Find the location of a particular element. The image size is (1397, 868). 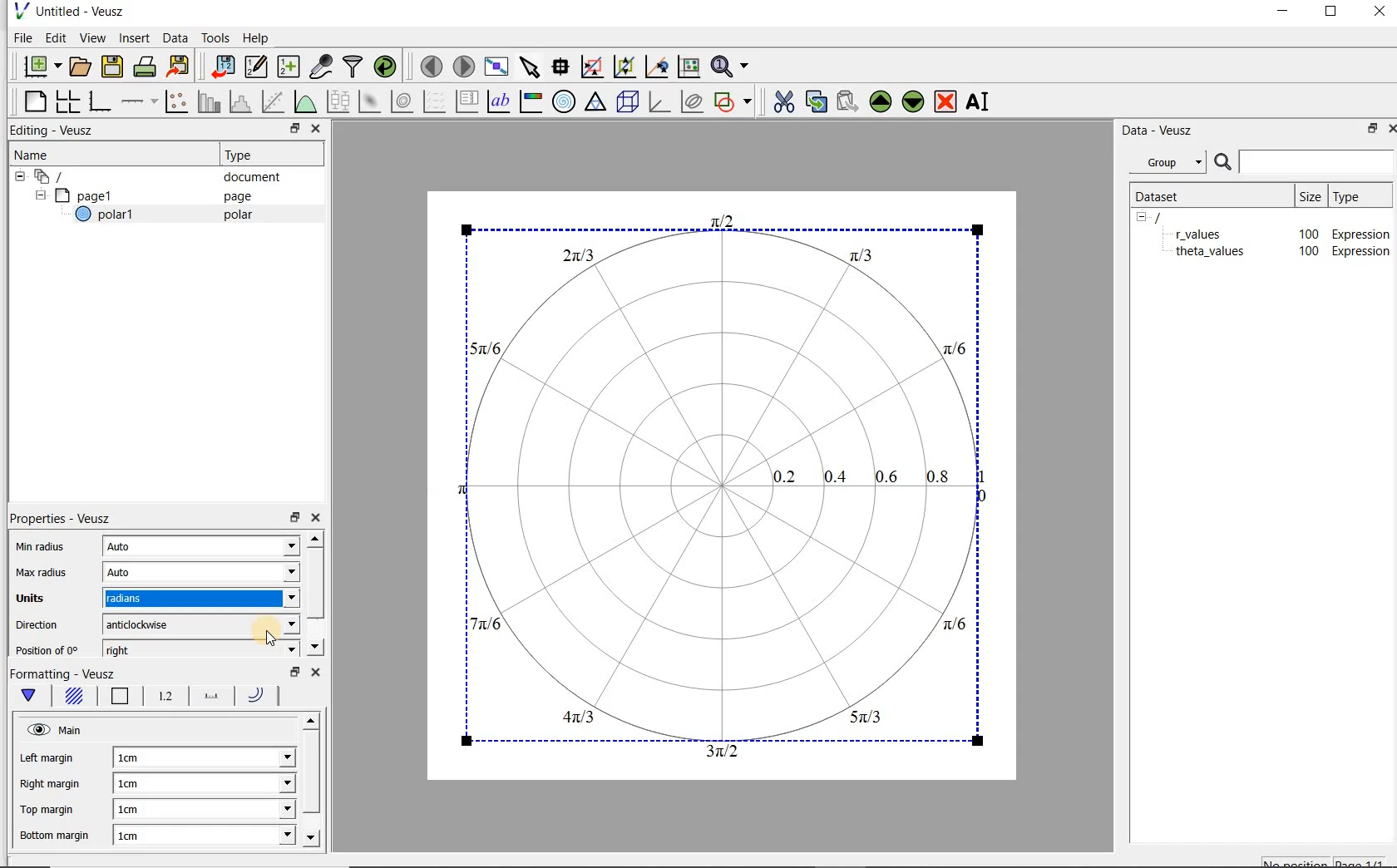

Position of 0° is located at coordinates (52, 649).